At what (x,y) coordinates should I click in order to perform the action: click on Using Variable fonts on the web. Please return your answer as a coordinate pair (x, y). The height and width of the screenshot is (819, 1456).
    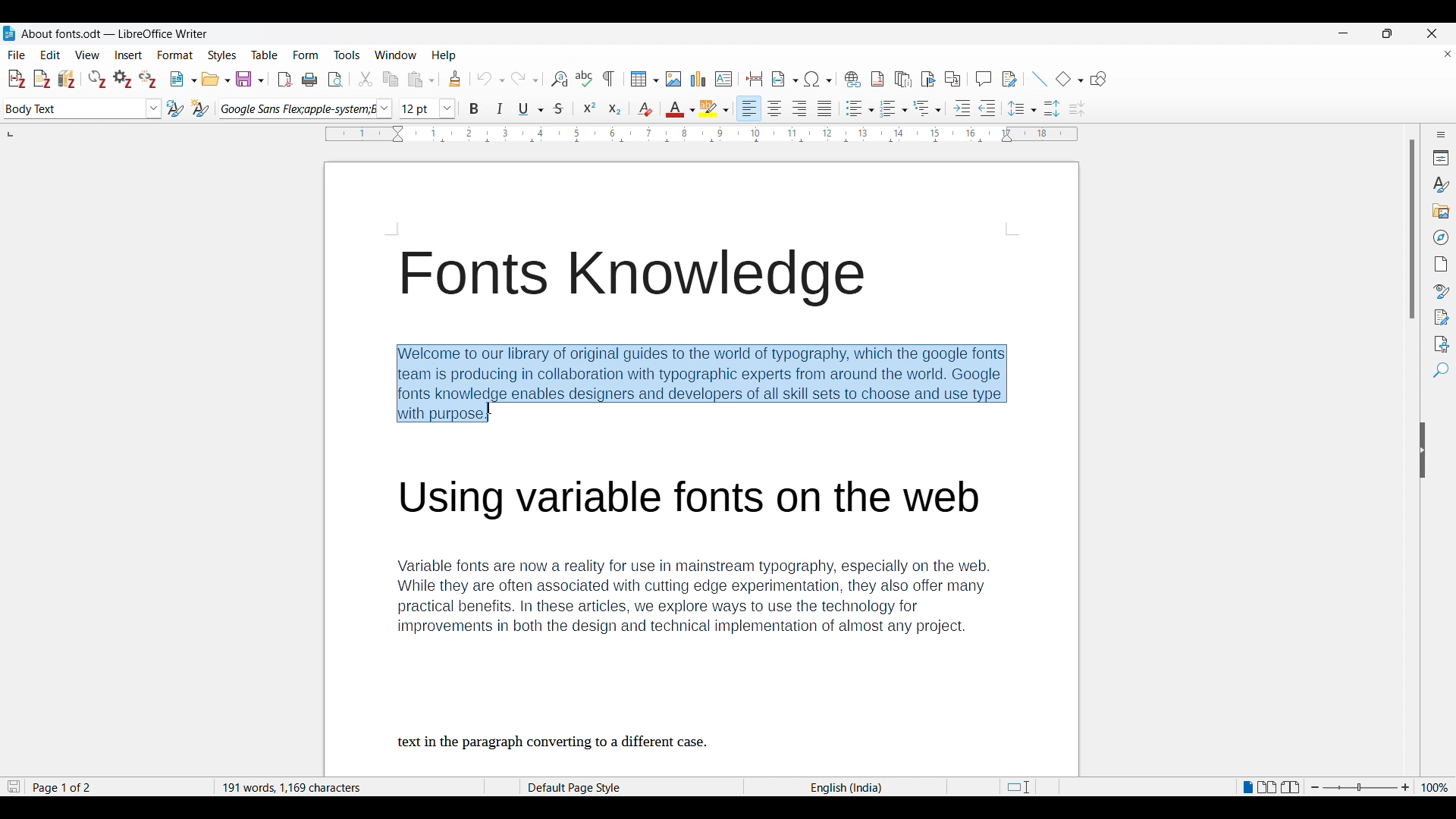
    Looking at the image, I should click on (701, 502).